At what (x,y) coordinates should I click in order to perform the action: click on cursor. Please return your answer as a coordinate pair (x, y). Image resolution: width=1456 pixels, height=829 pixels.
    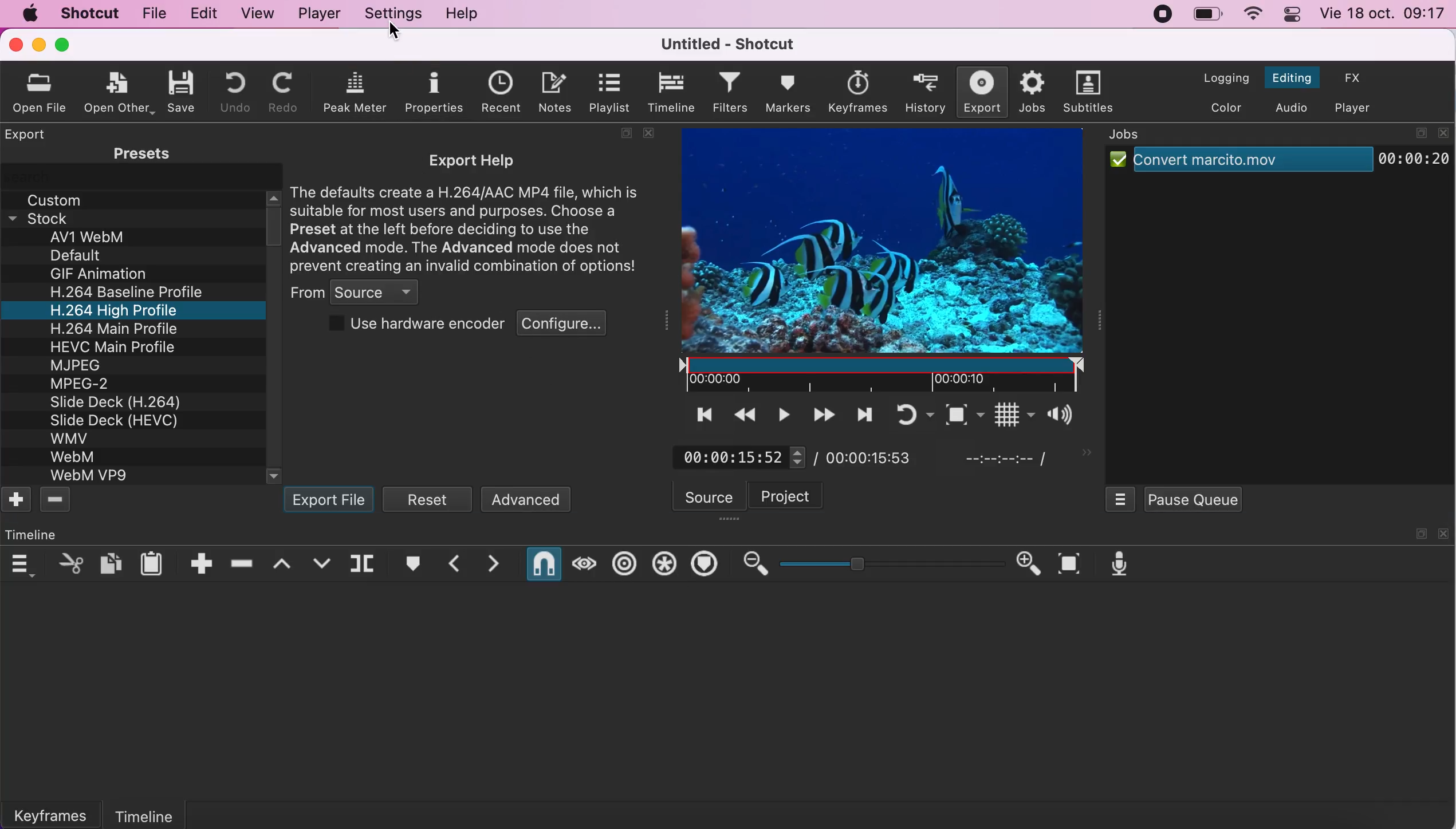
    Looking at the image, I should click on (398, 31).